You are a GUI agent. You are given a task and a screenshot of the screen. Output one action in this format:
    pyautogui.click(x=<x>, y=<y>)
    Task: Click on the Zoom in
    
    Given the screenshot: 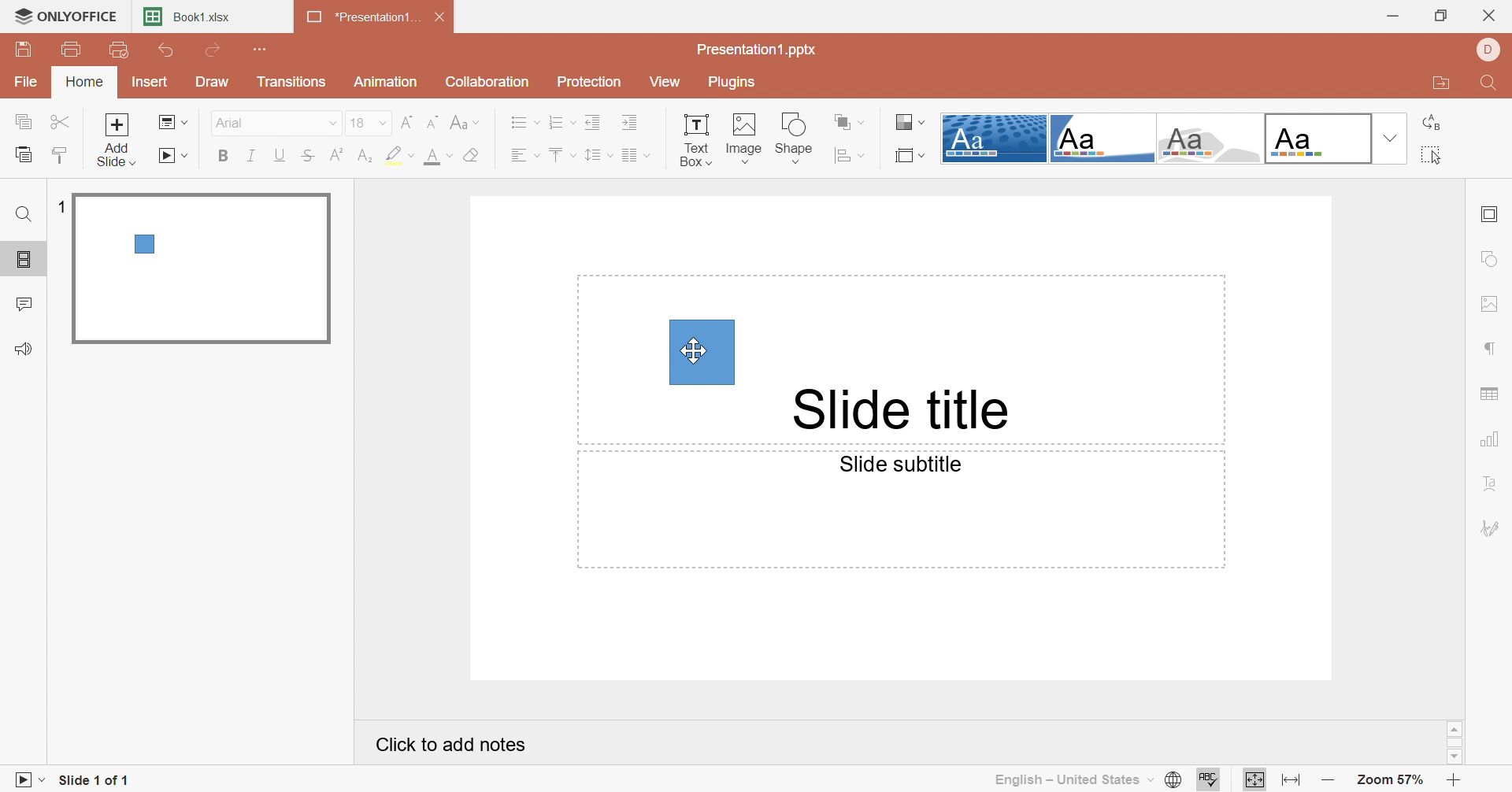 What is the action you would take?
    pyautogui.click(x=1459, y=779)
    